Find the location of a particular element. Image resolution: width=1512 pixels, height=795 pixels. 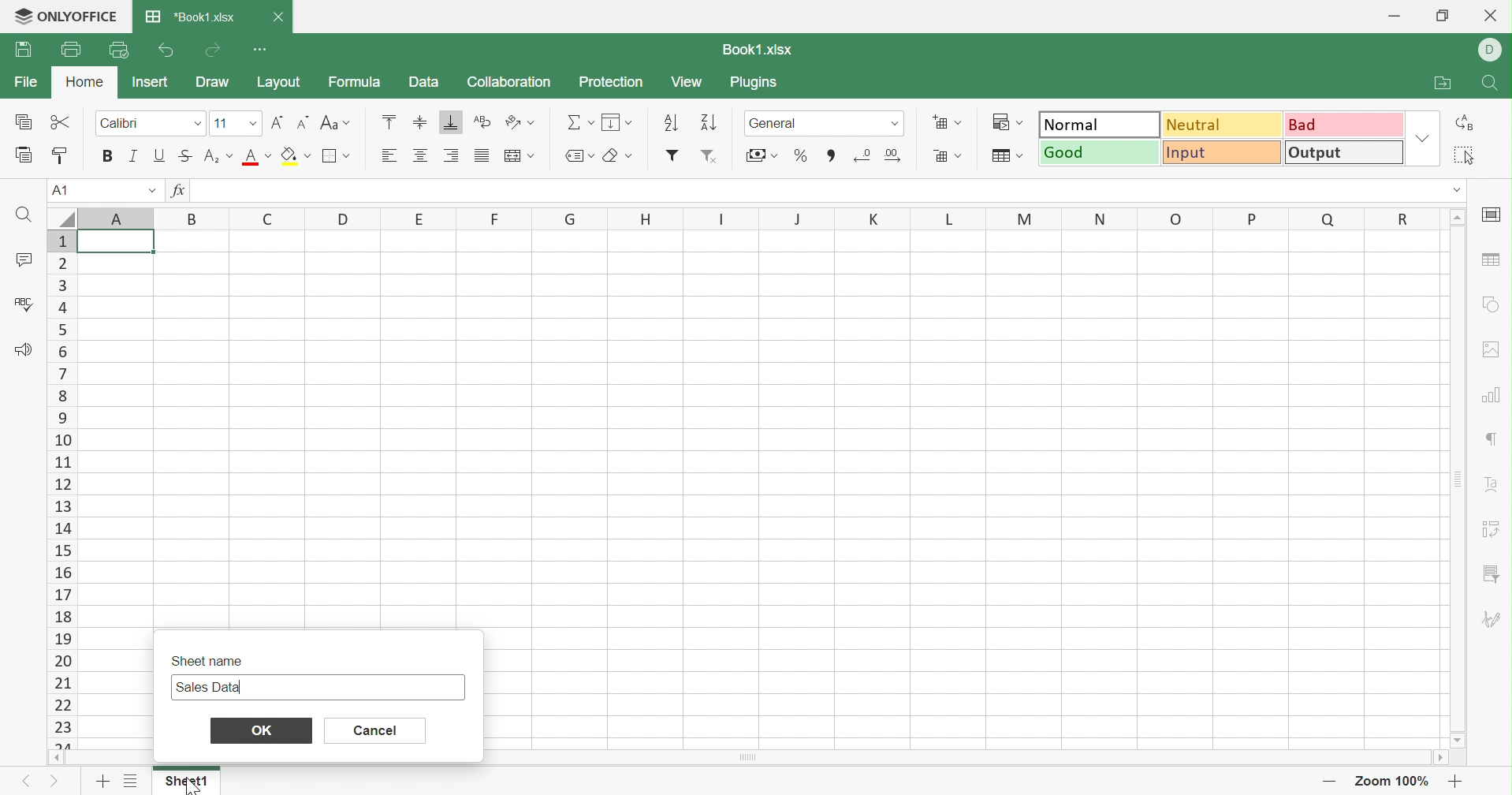

Change case is located at coordinates (338, 121).